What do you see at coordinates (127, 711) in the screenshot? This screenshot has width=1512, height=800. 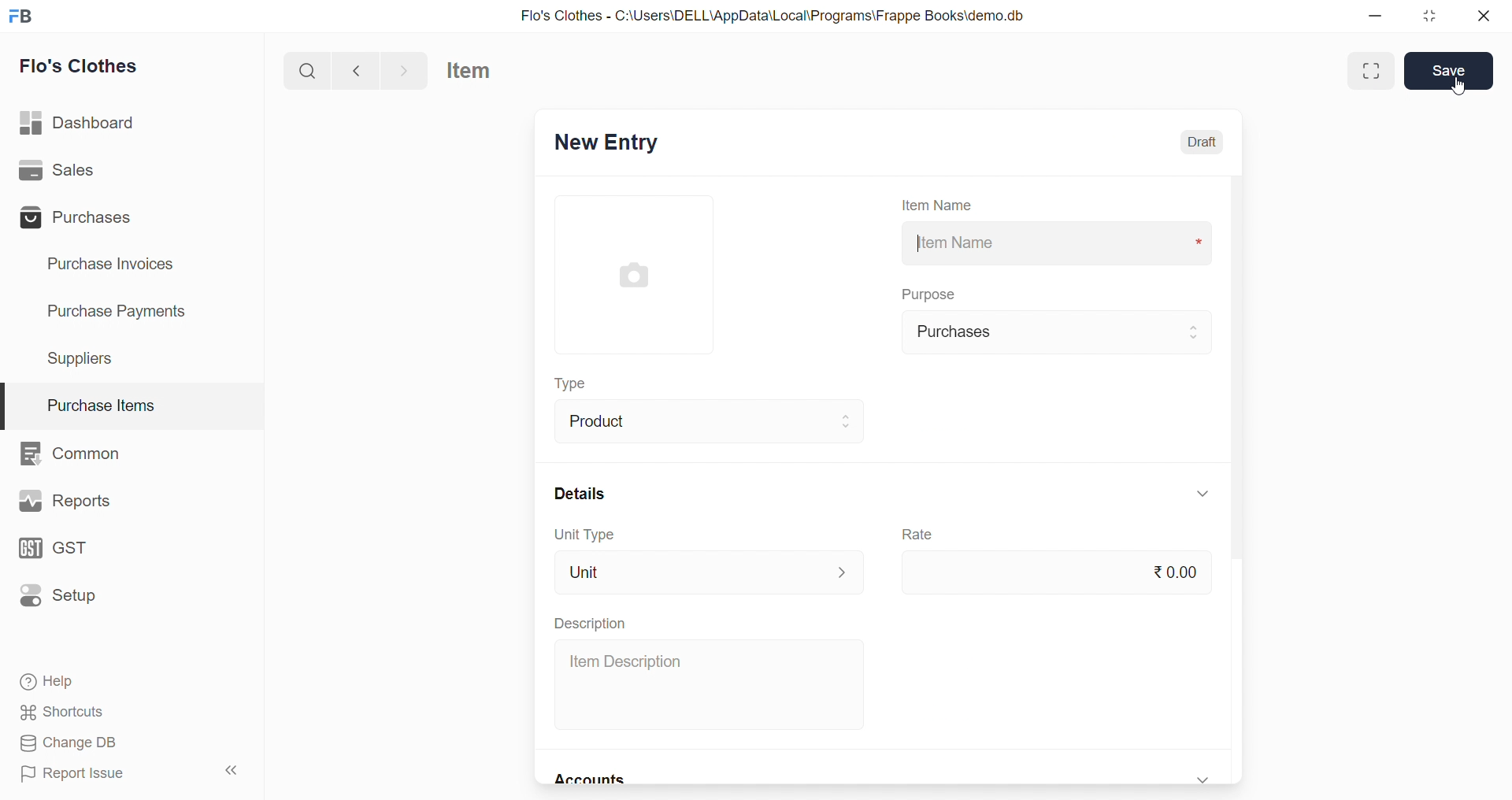 I see `Shortcuts` at bounding box center [127, 711].